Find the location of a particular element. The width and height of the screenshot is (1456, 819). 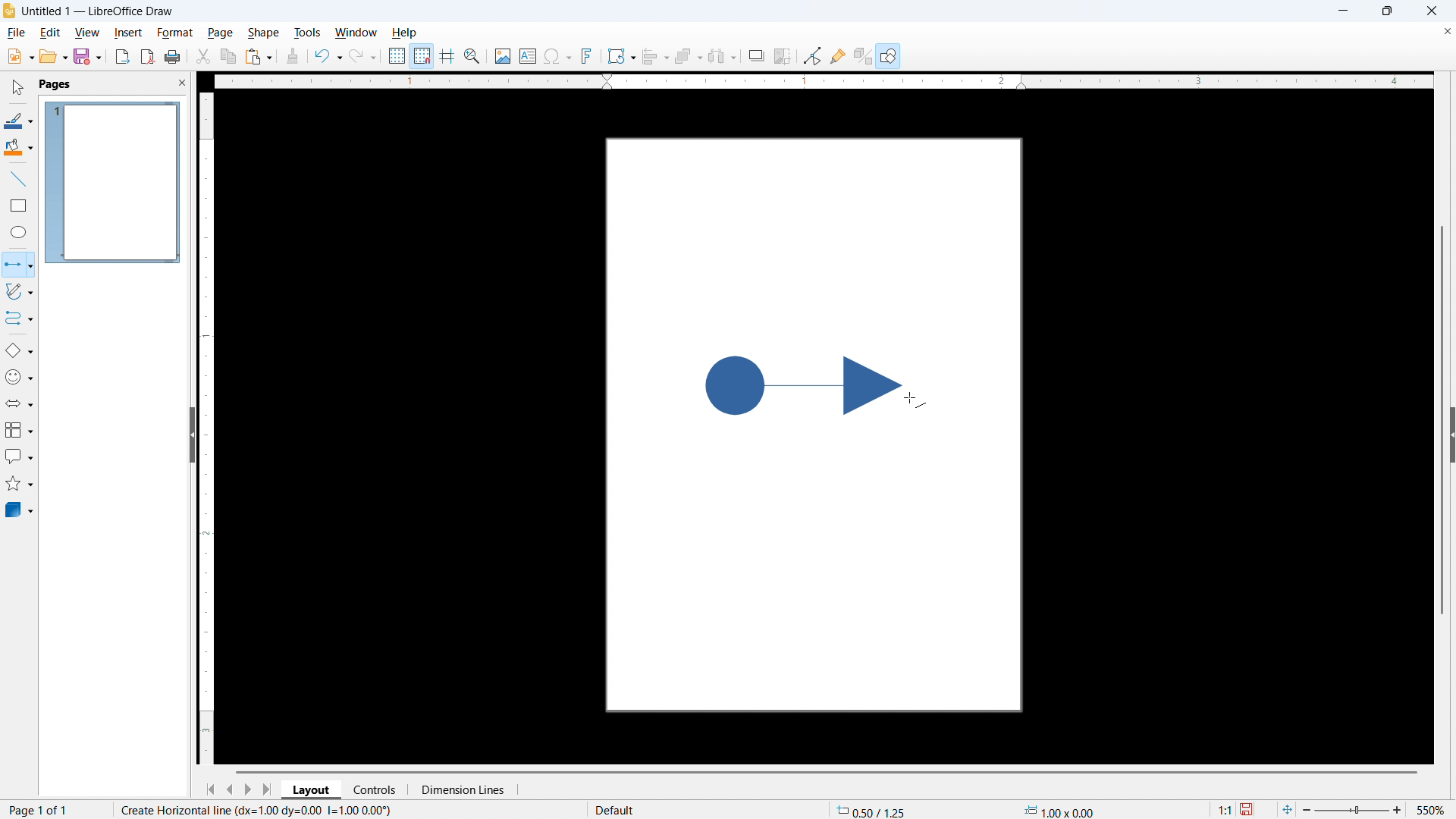

Horizontal scroll bar  is located at coordinates (827, 772).